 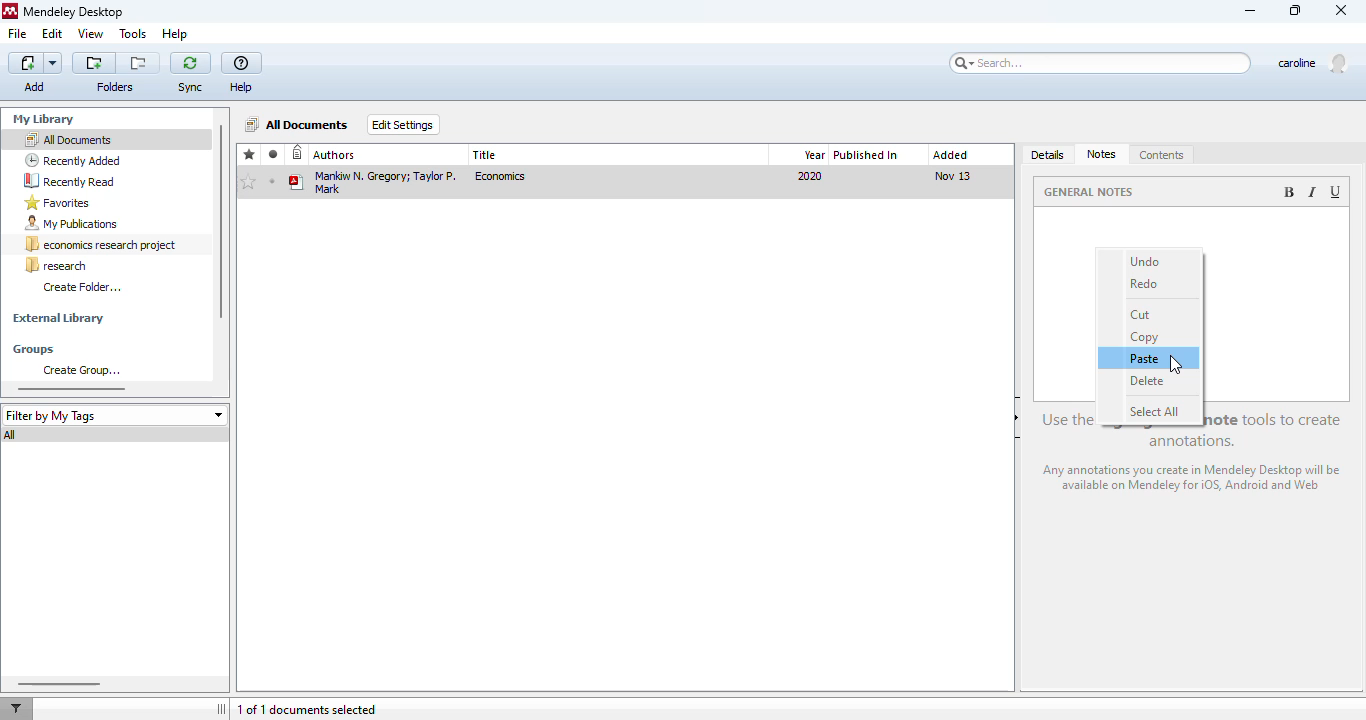 What do you see at coordinates (952, 175) in the screenshot?
I see `nov 13` at bounding box center [952, 175].